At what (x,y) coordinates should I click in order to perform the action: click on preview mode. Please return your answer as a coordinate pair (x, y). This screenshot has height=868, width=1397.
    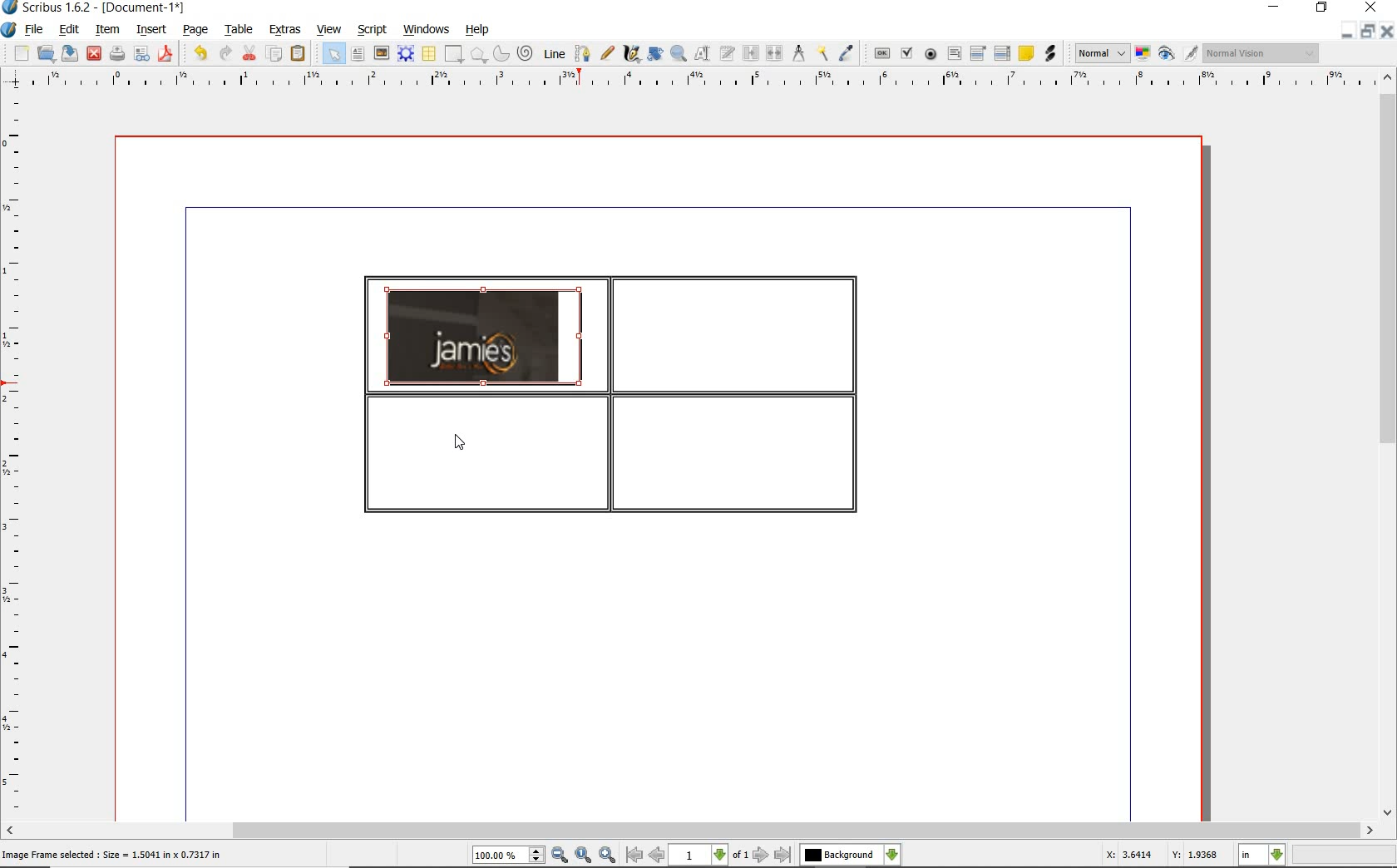
    Looking at the image, I should click on (1167, 55).